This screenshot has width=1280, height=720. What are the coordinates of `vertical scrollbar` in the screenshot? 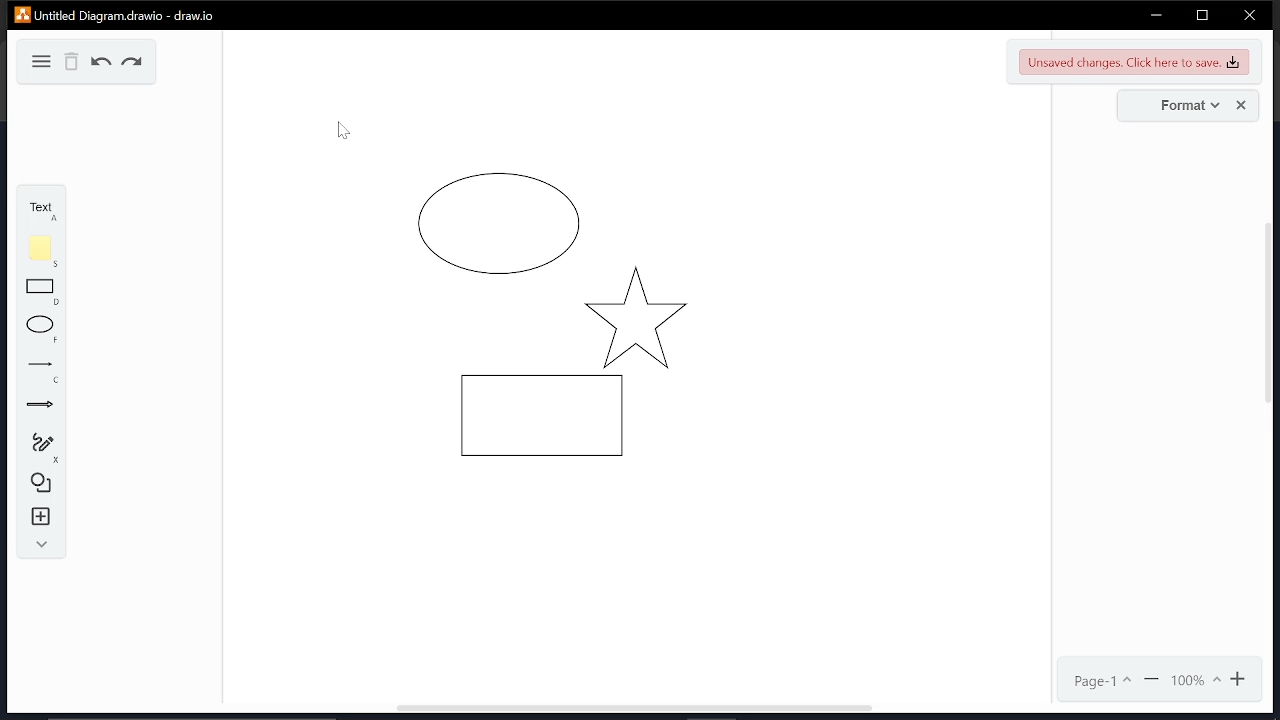 It's located at (1264, 314).